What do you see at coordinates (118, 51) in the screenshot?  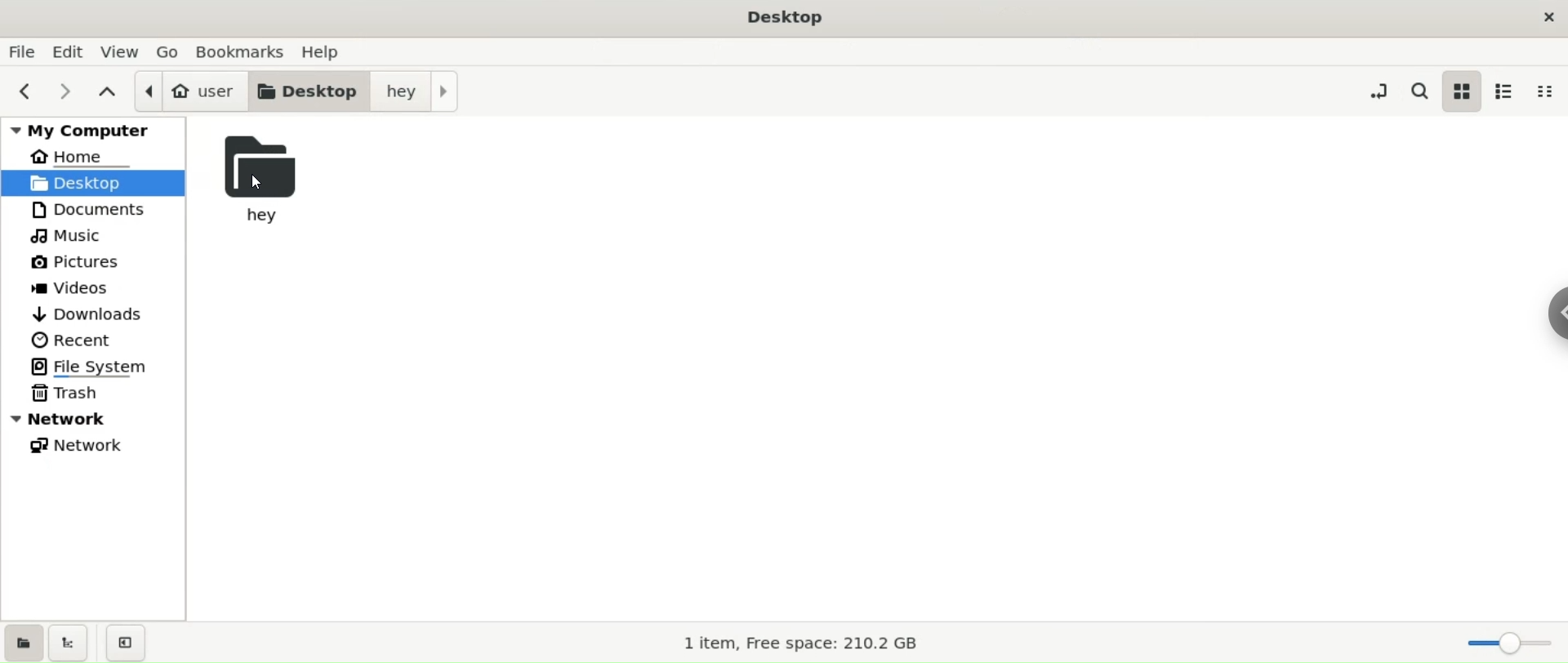 I see `view` at bounding box center [118, 51].